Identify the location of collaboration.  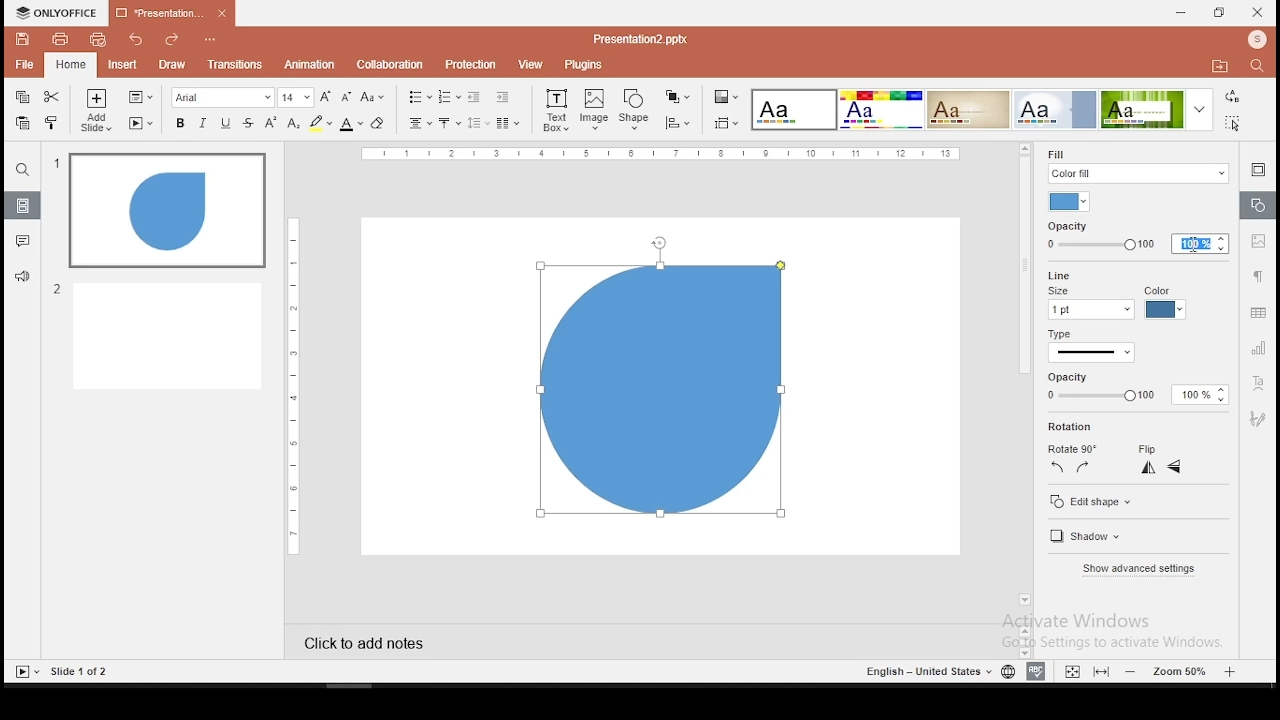
(389, 65).